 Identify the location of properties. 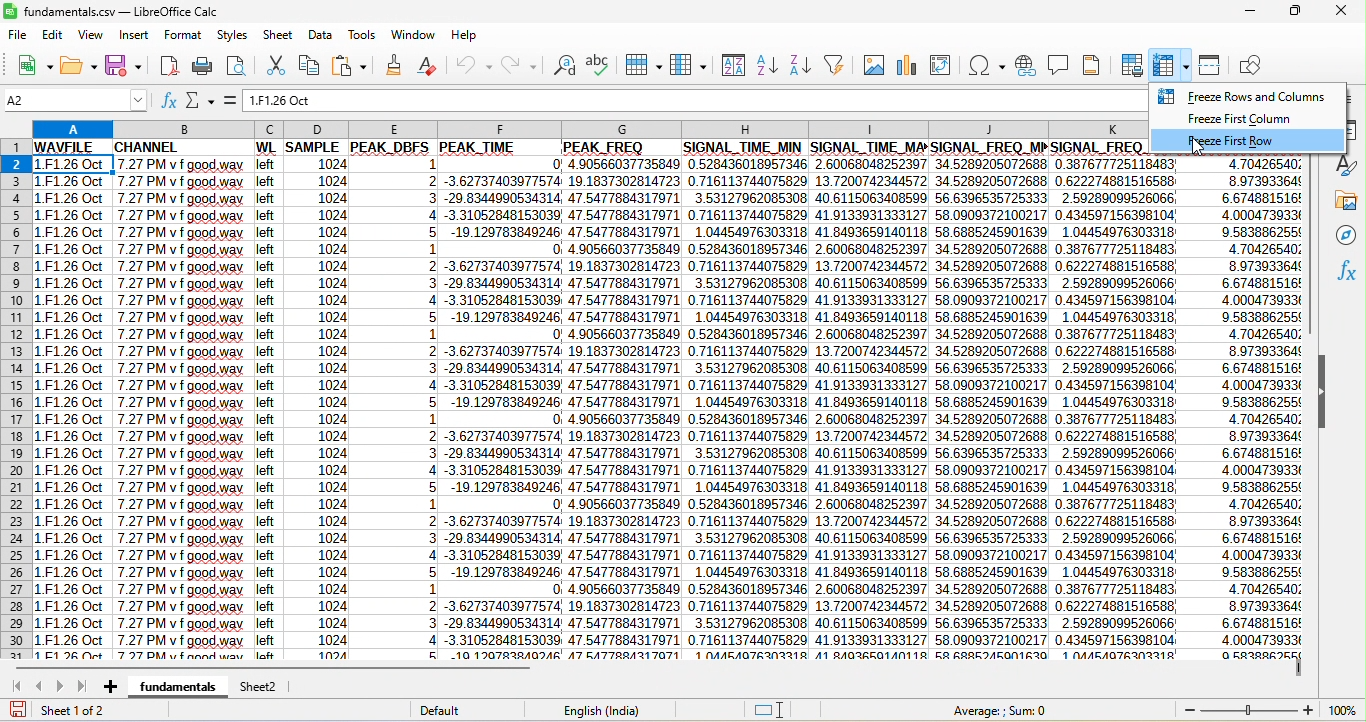
(1351, 130).